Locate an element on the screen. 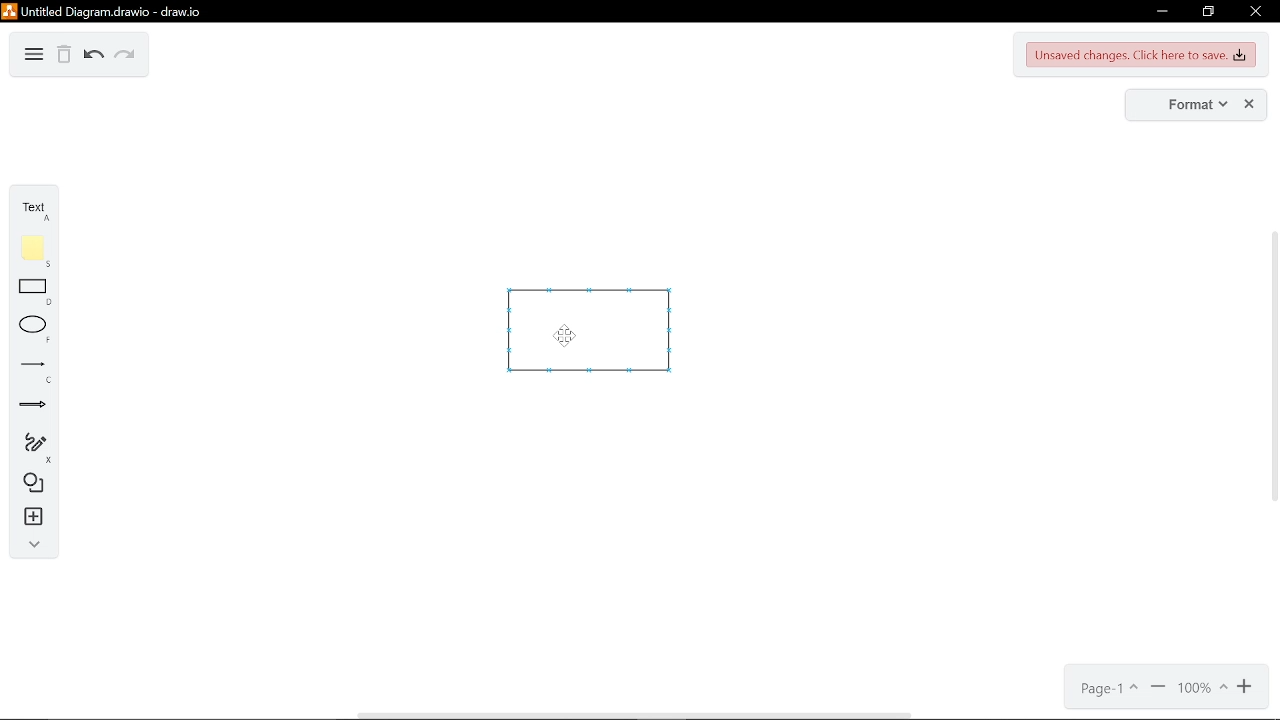  cursor is located at coordinates (569, 337).